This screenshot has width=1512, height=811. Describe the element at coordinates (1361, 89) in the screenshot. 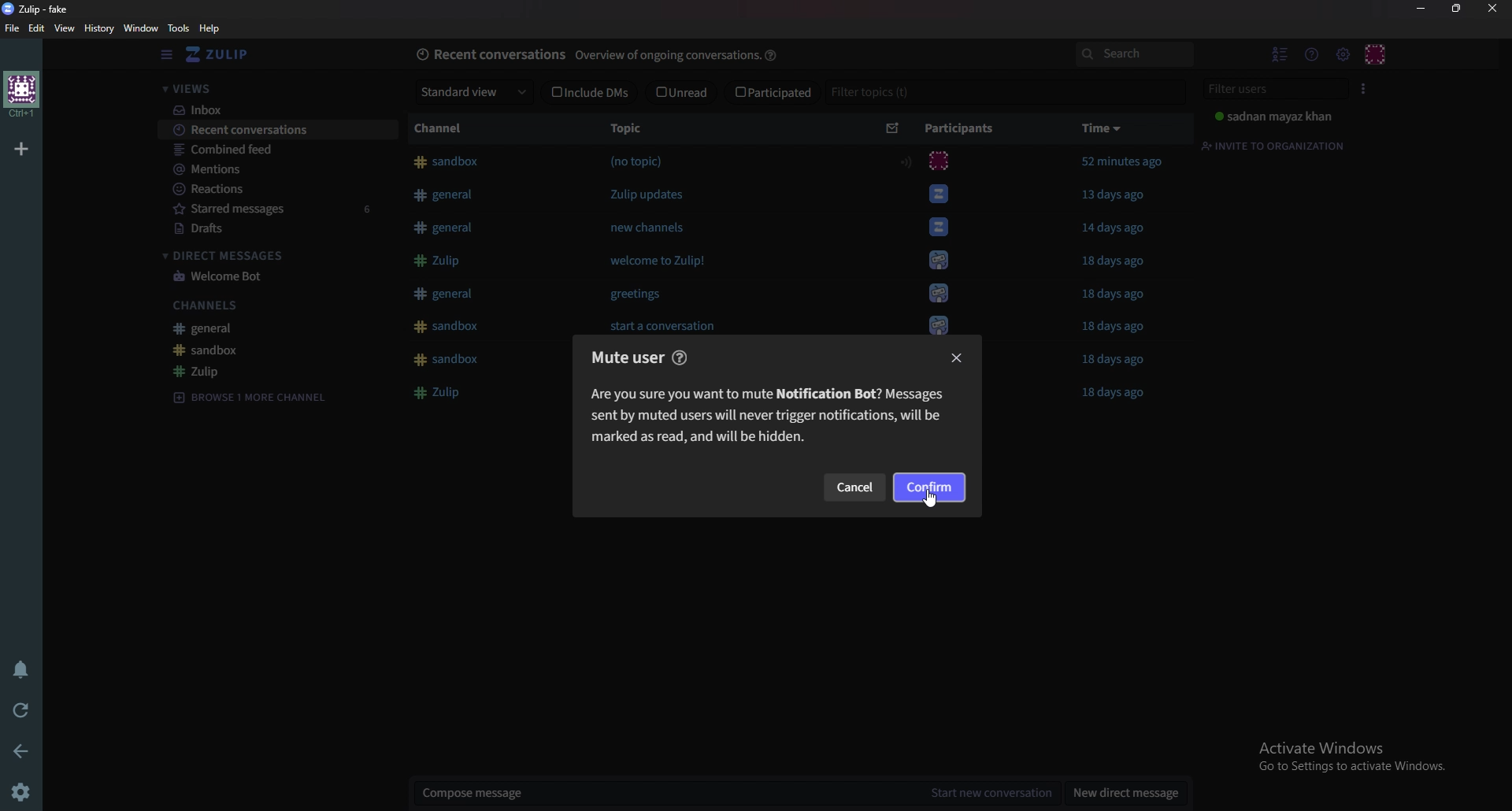

I see `User list style` at that location.